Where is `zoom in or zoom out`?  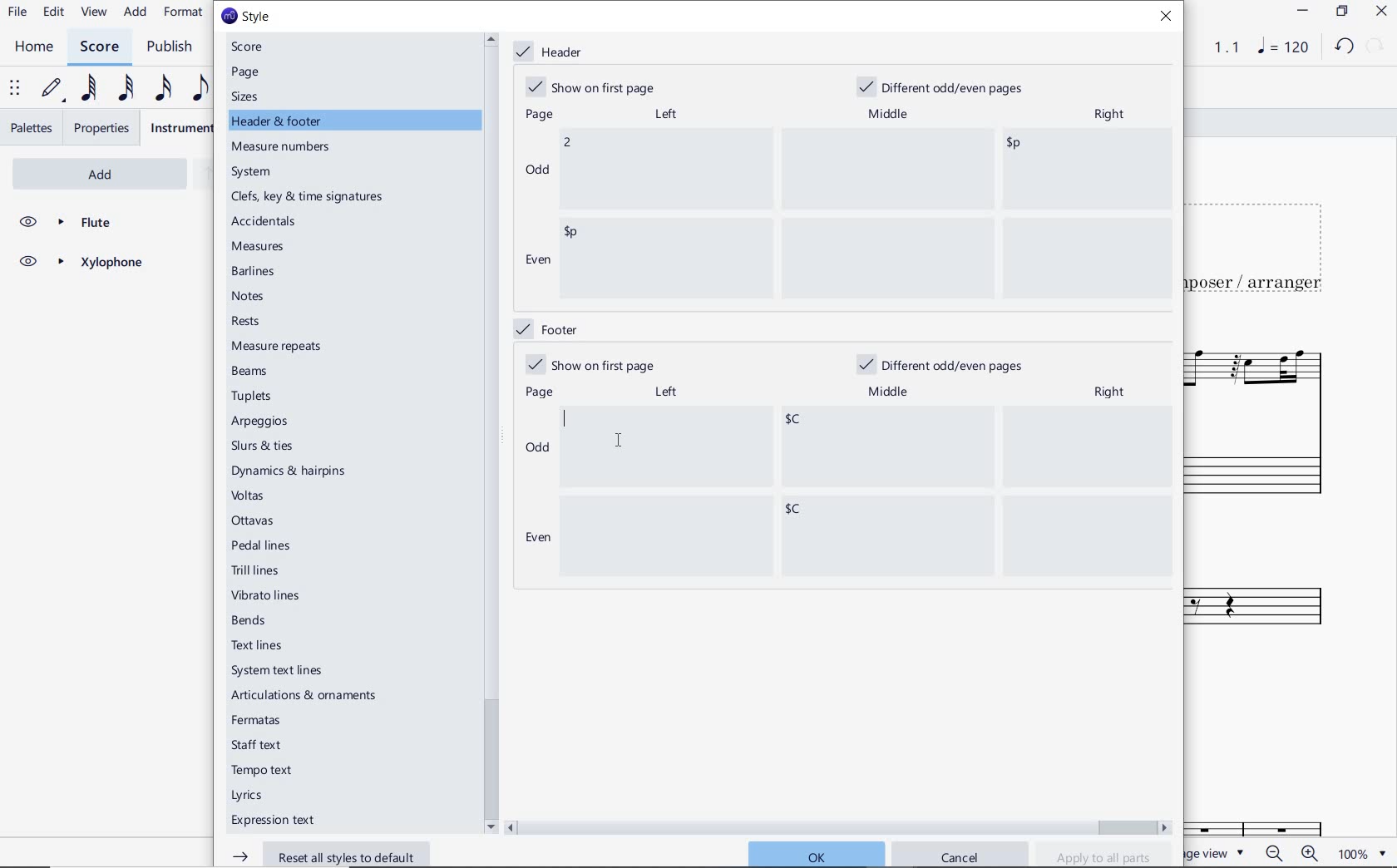
zoom in or zoom out is located at coordinates (1290, 852).